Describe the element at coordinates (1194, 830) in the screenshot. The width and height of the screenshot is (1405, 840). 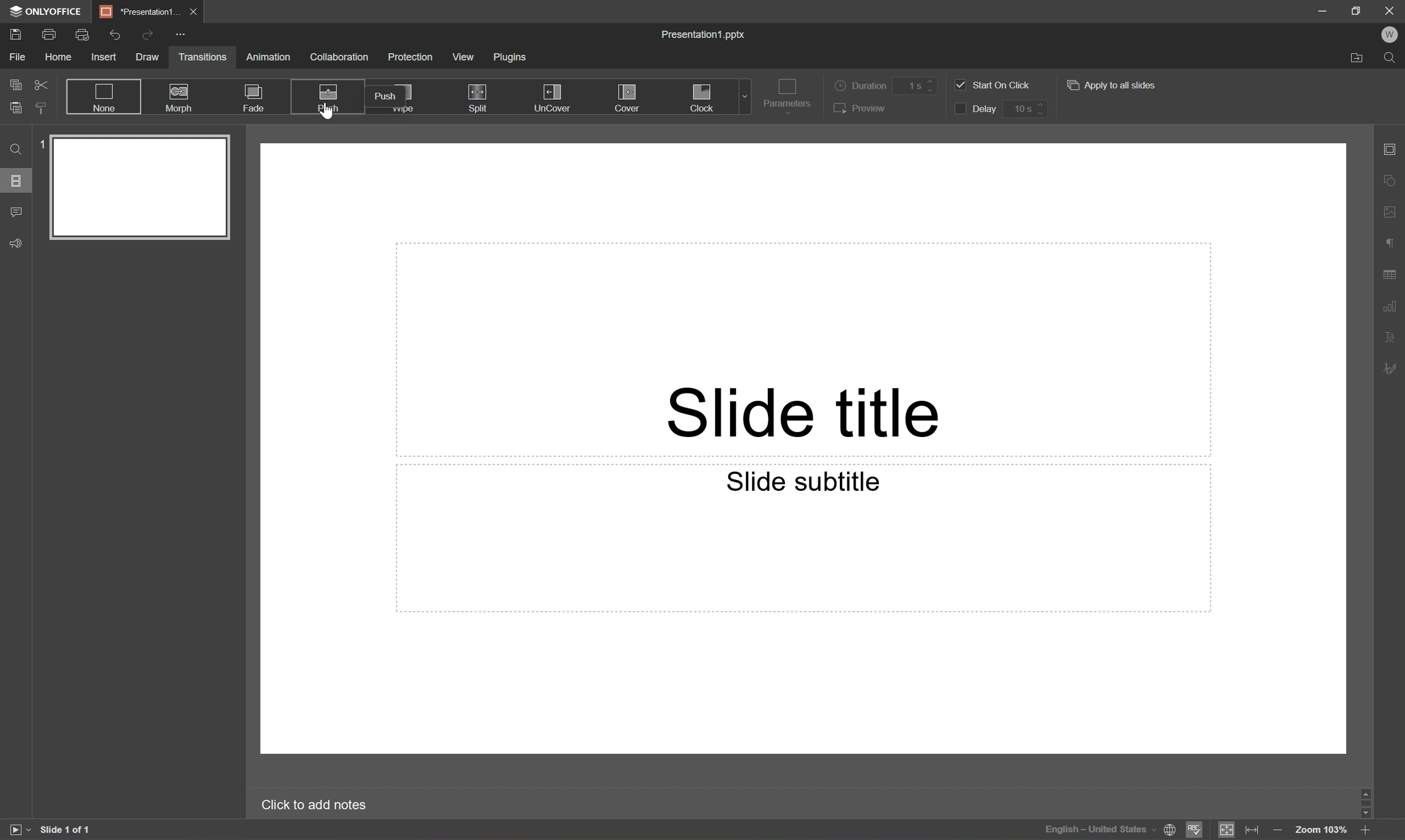
I see `Spell checking` at that location.